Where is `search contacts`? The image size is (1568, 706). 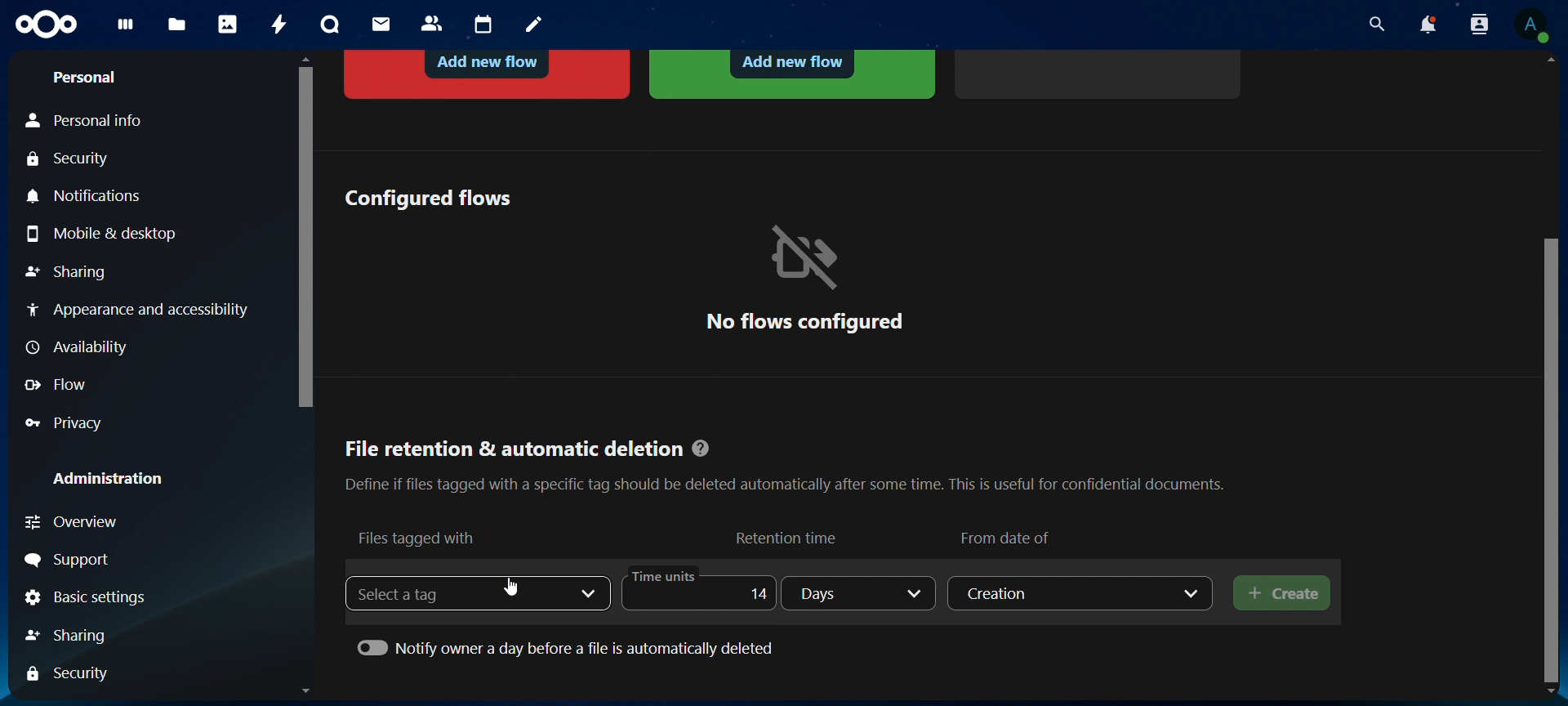 search contacts is located at coordinates (1483, 25).